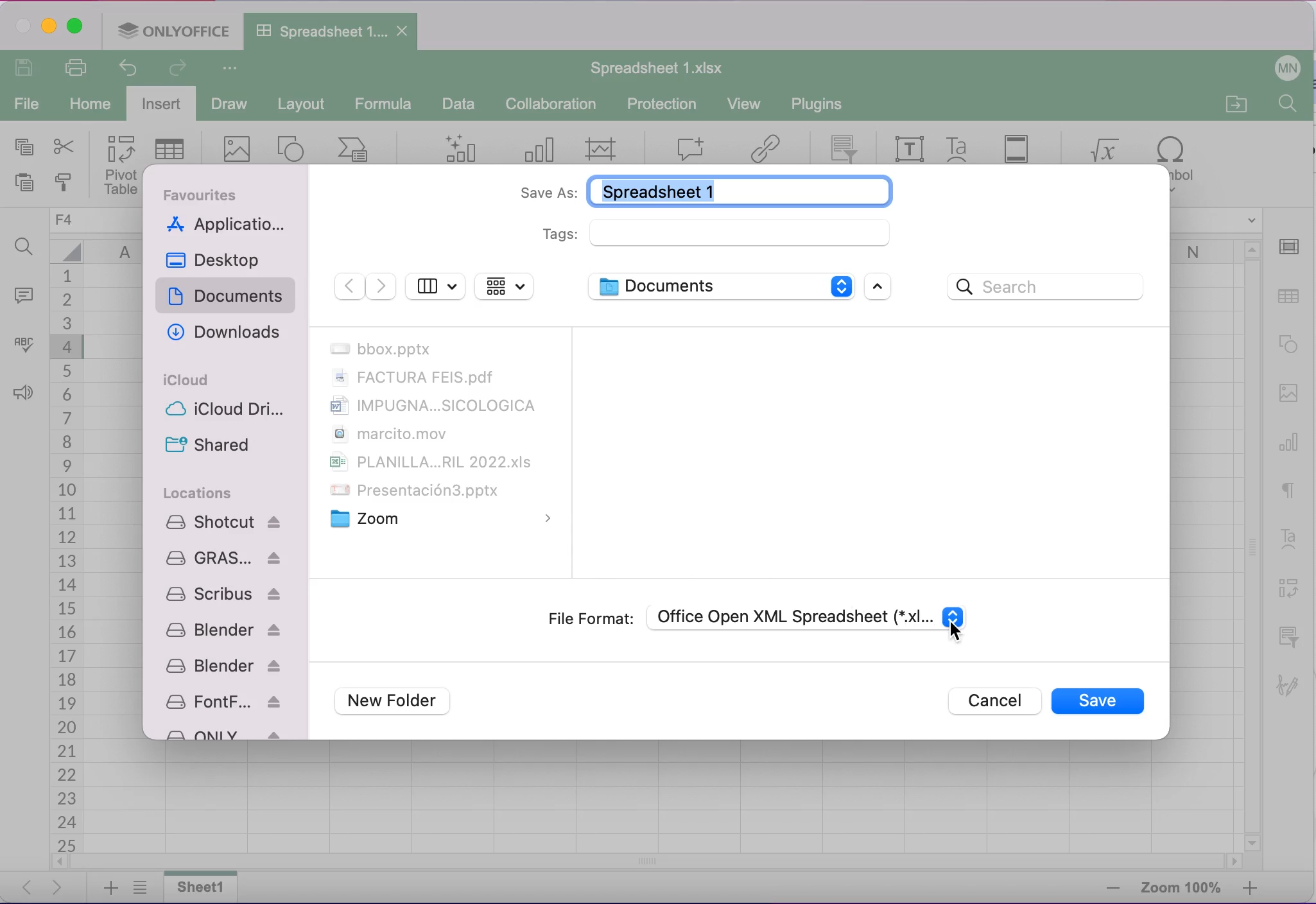  What do you see at coordinates (718, 233) in the screenshot?
I see `tags` at bounding box center [718, 233].